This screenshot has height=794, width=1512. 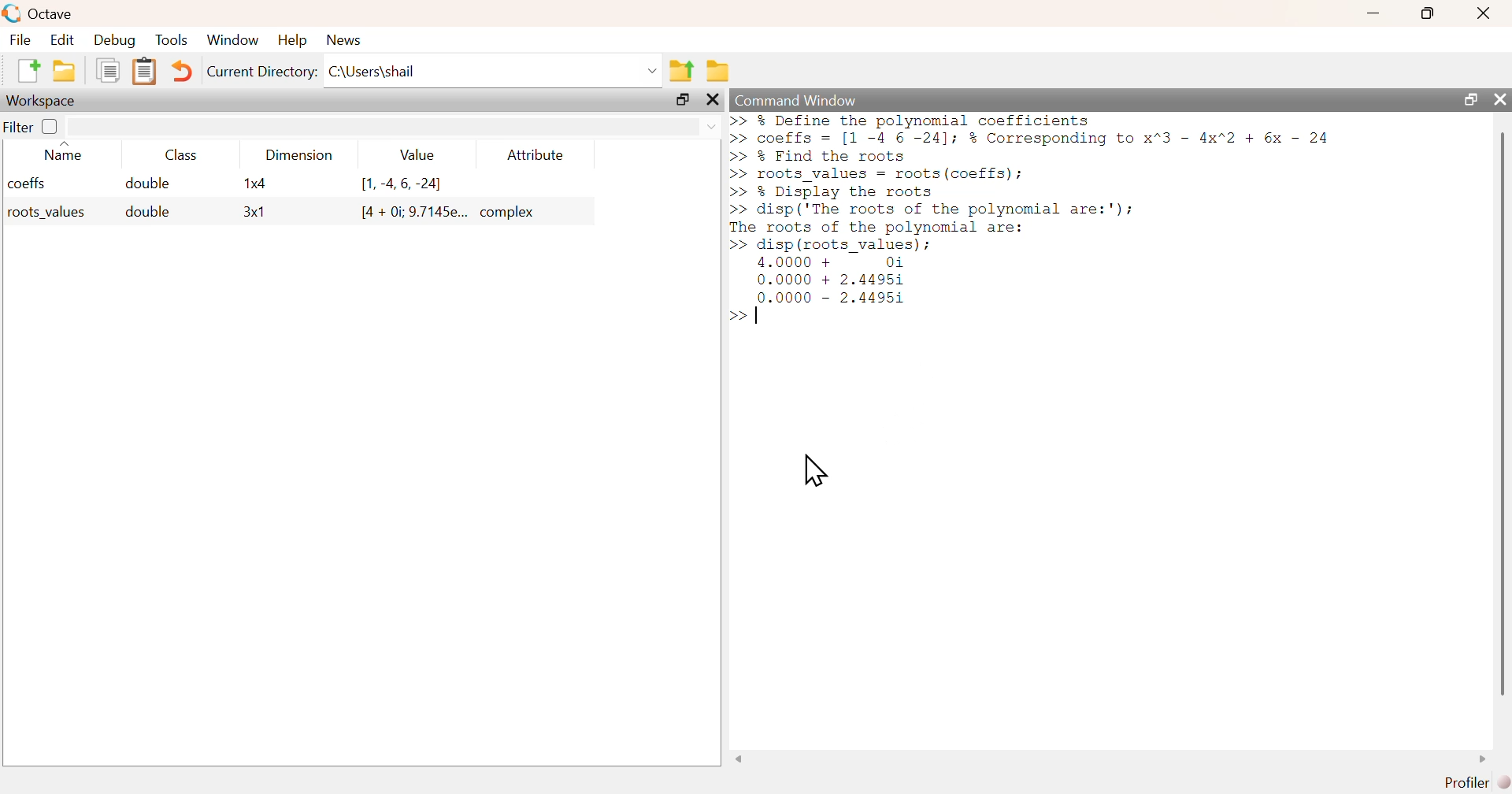 I want to click on Previous Folder, so click(x=681, y=70).